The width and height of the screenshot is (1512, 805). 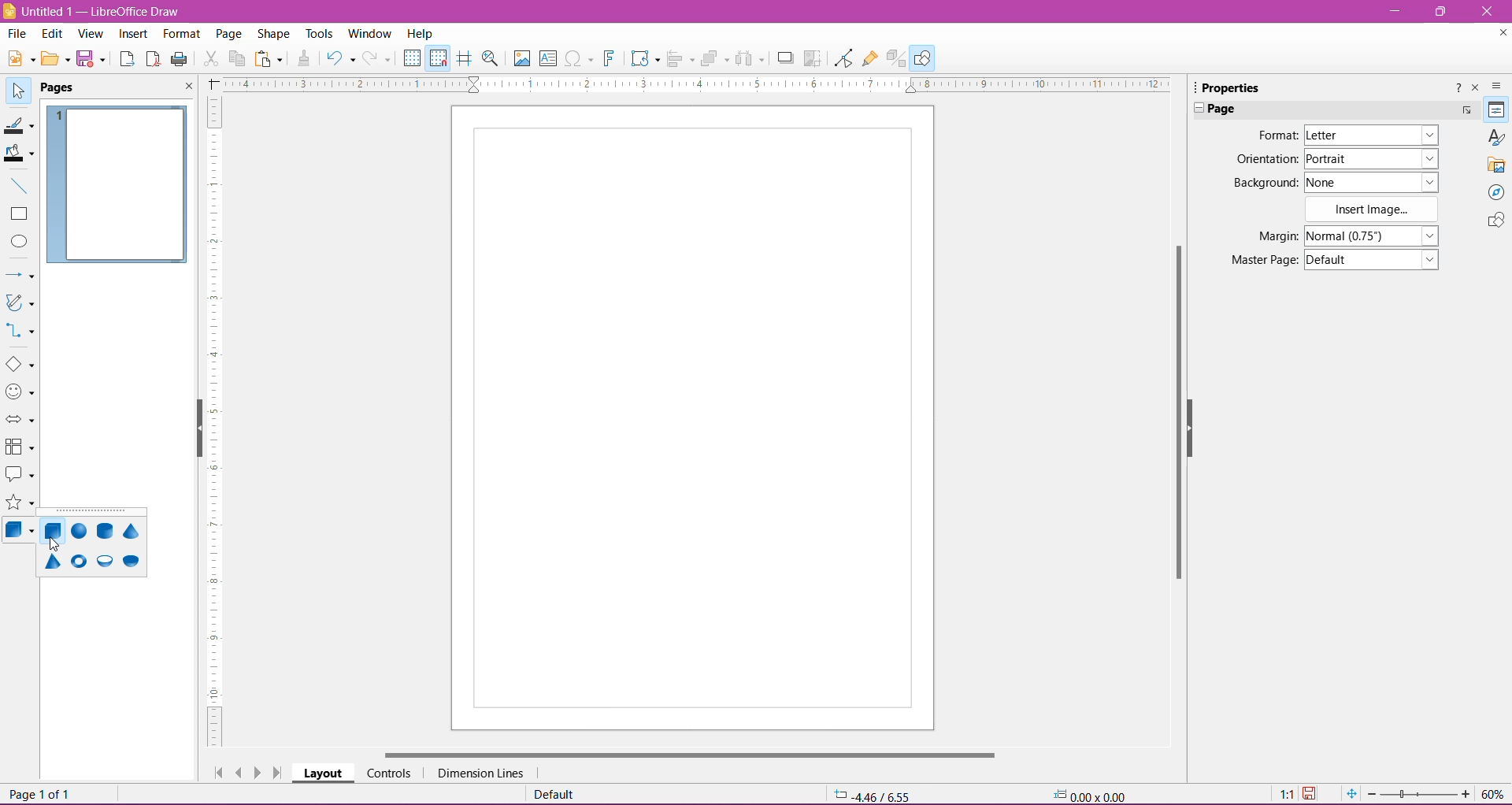 What do you see at coordinates (388, 773) in the screenshot?
I see `Controls` at bounding box center [388, 773].